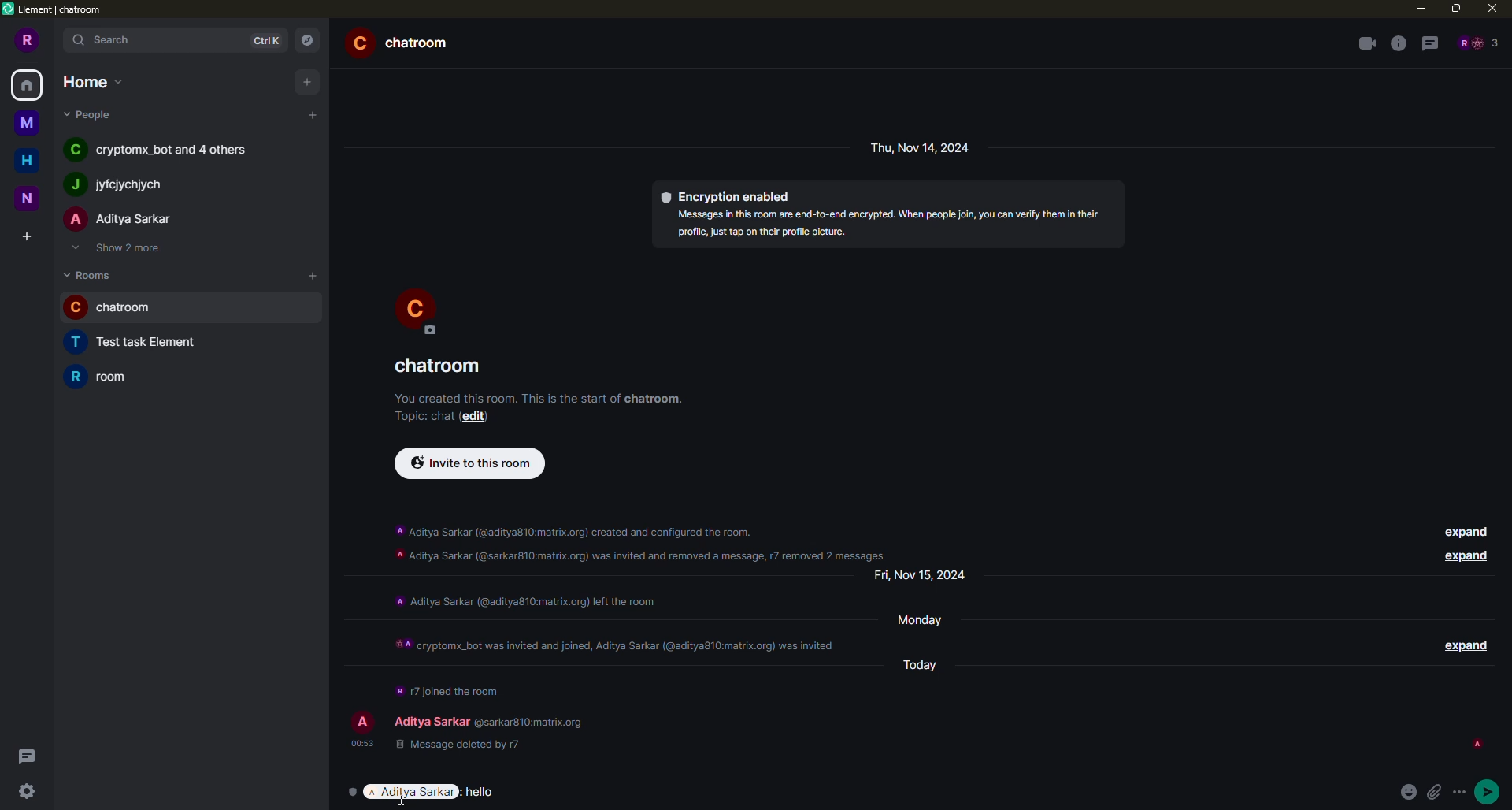 This screenshot has width=1512, height=810. What do you see at coordinates (1492, 8) in the screenshot?
I see `close` at bounding box center [1492, 8].